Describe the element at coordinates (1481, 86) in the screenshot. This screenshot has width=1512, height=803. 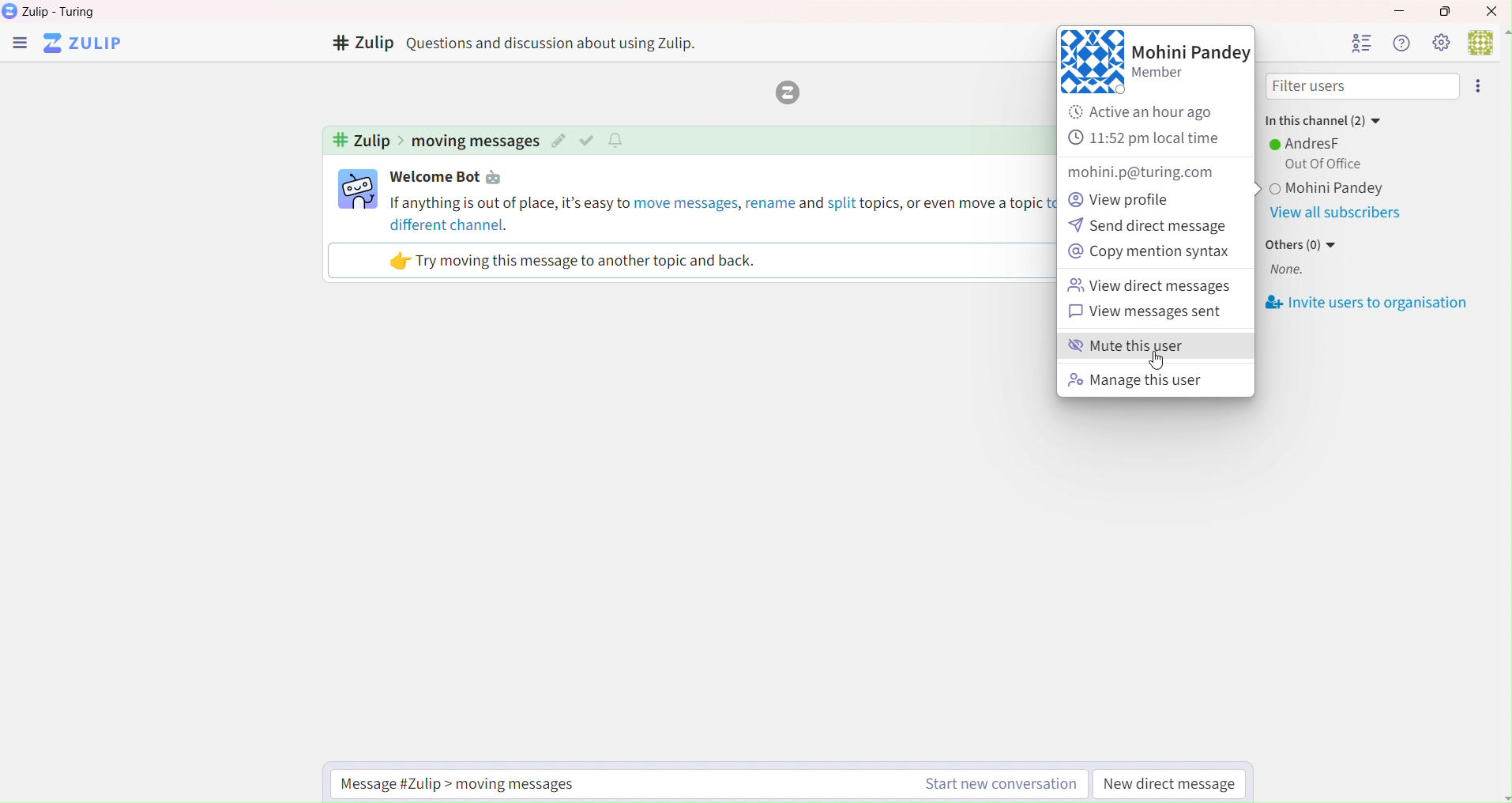
I see `menu` at that location.